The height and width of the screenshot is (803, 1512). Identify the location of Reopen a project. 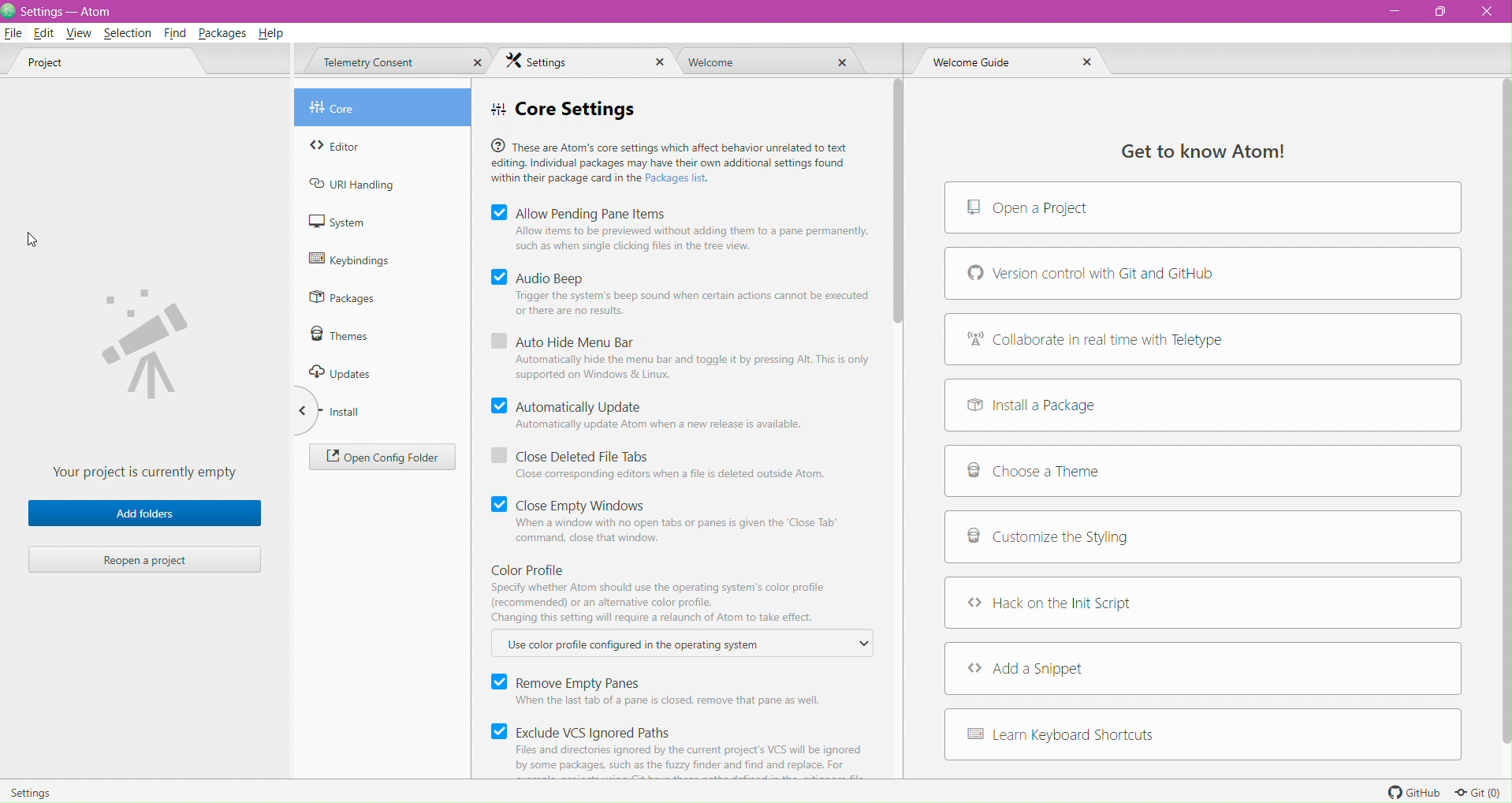
(147, 559).